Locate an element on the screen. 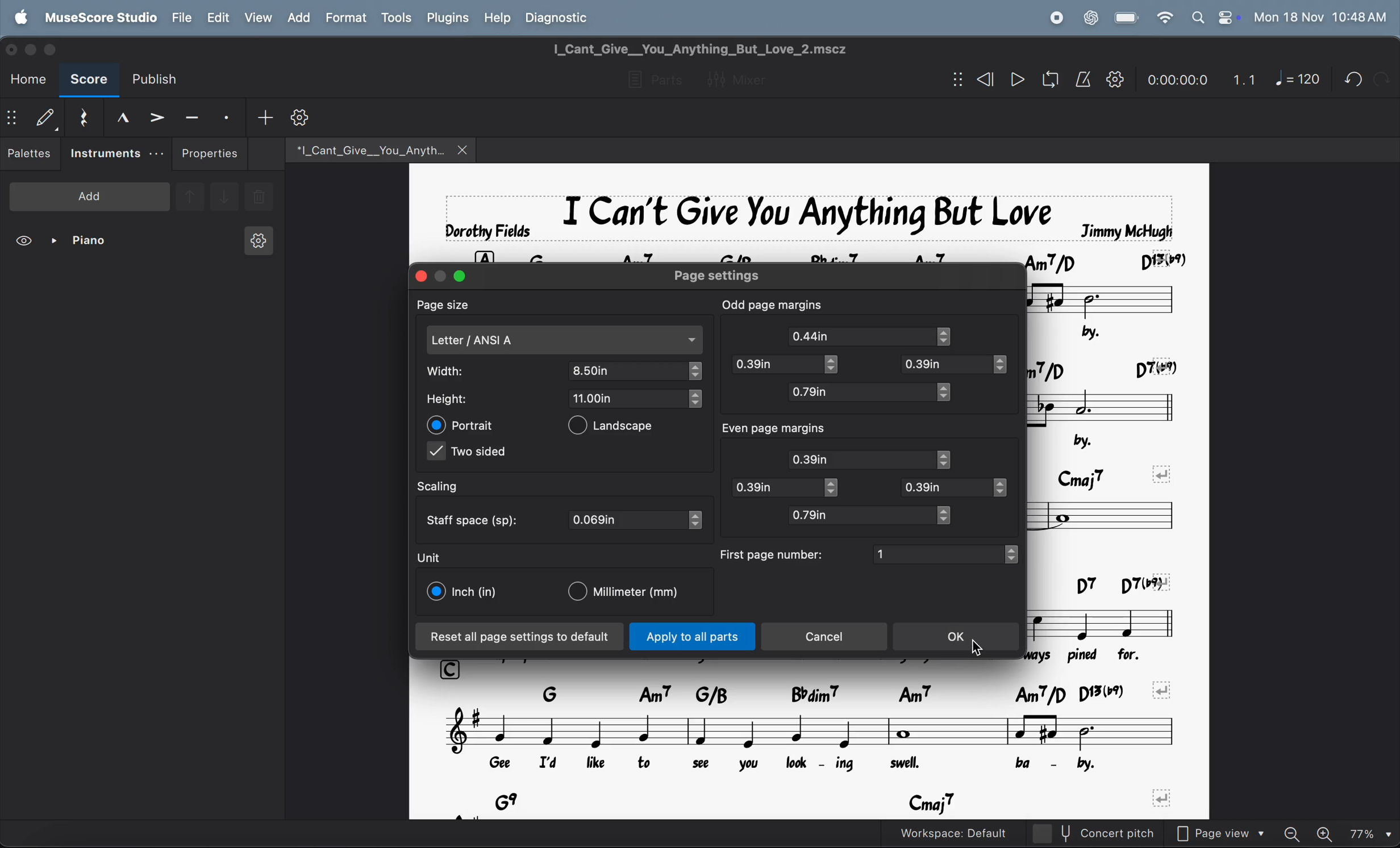 The image size is (1400, 848). close is located at coordinates (14, 48).